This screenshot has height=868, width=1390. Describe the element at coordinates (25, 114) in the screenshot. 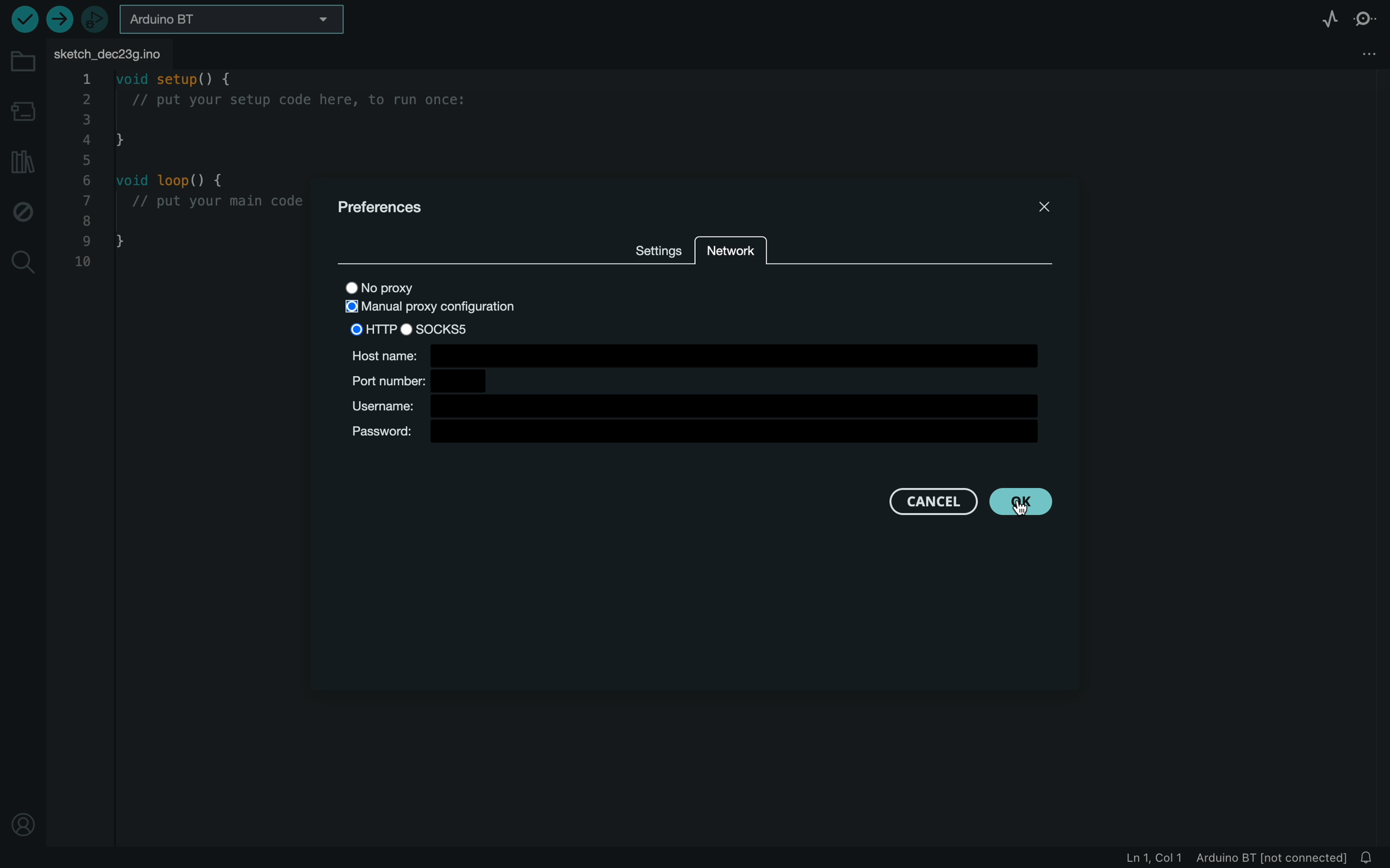

I see `board manager` at that location.